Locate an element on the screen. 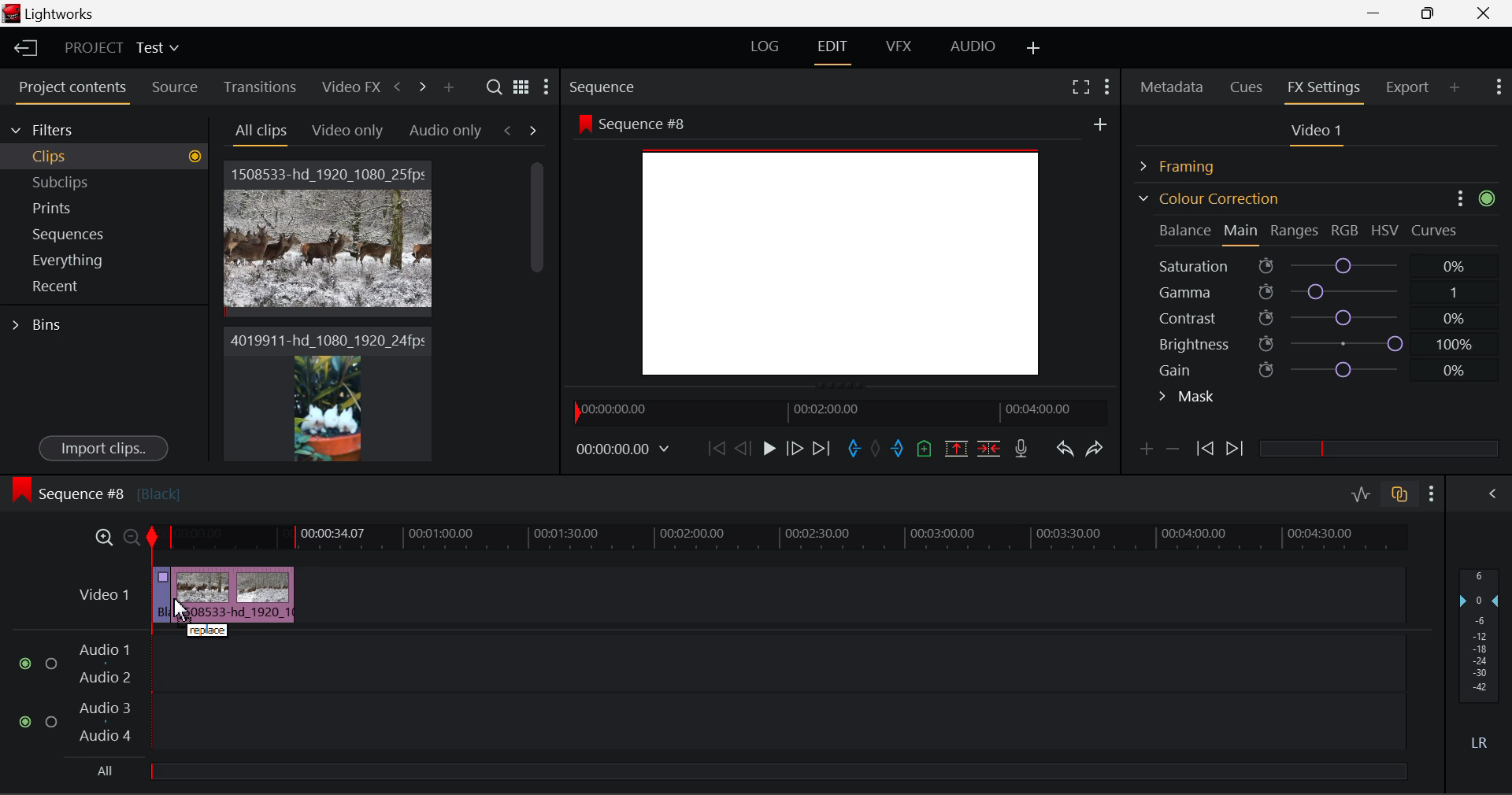  Saturation is located at coordinates (1314, 263).